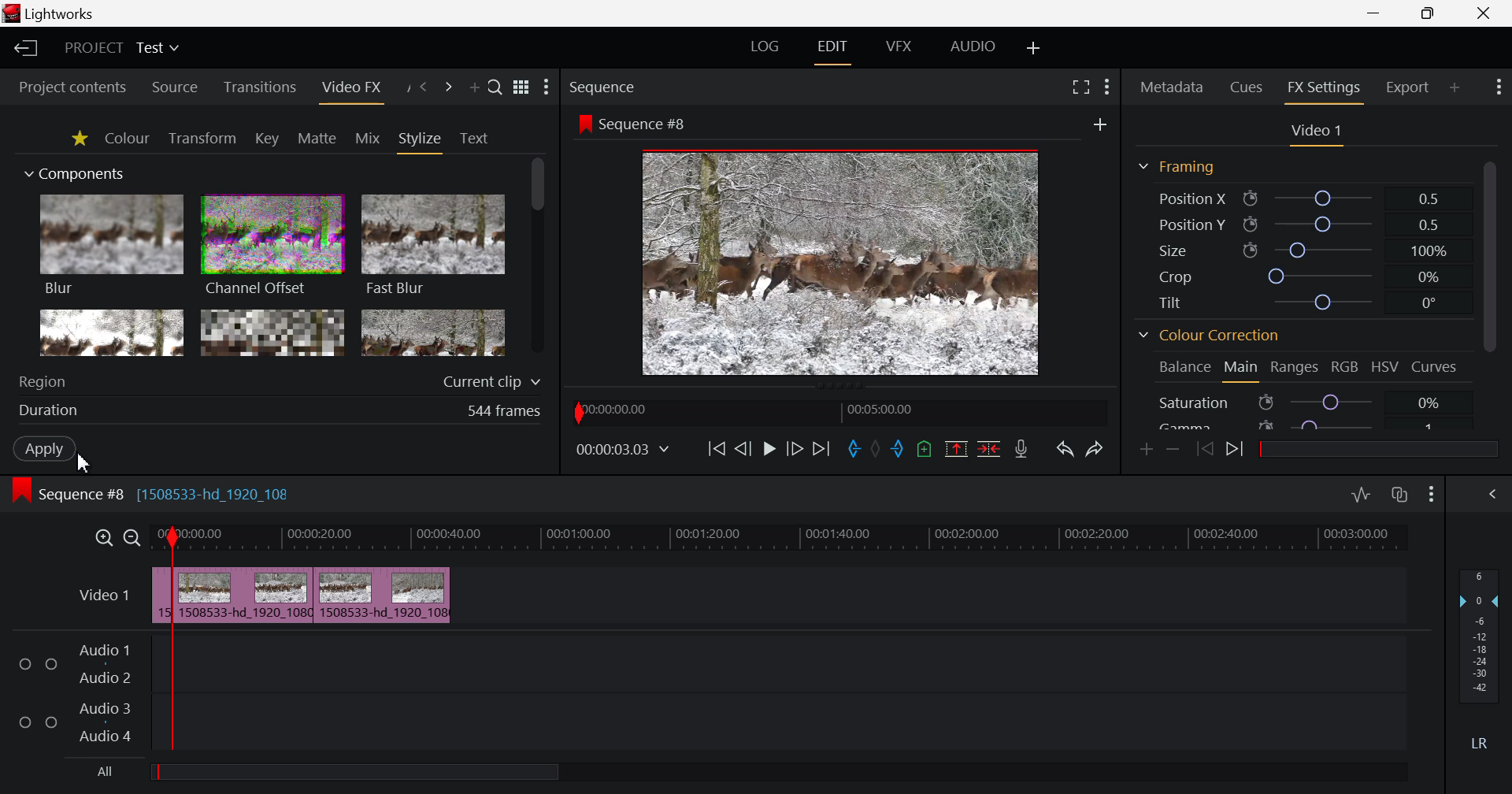 Image resolution: width=1512 pixels, height=794 pixels. I want to click on Saturation, so click(1310, 400).